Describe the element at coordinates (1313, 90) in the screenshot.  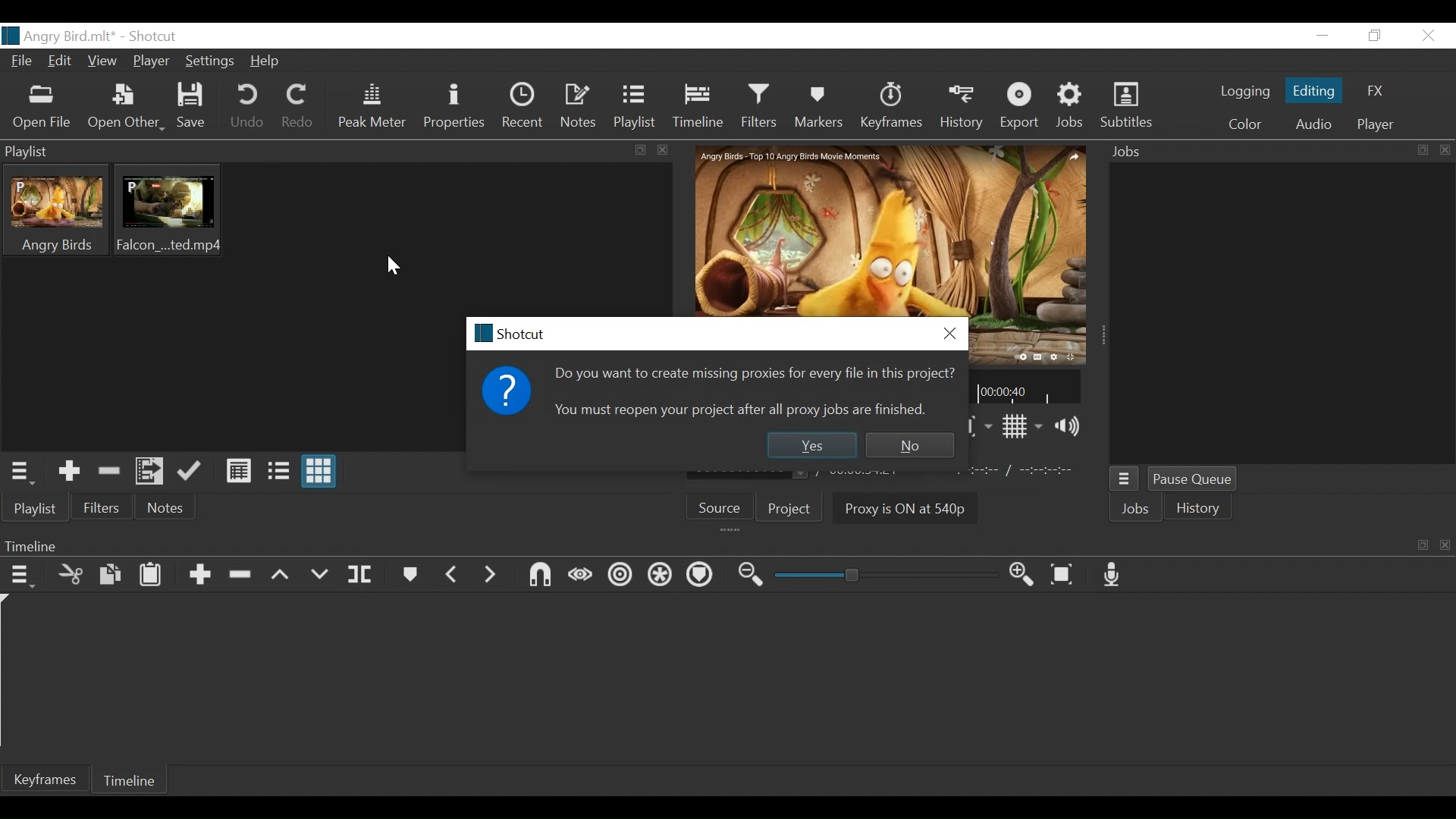
I see `Editing` at that location.